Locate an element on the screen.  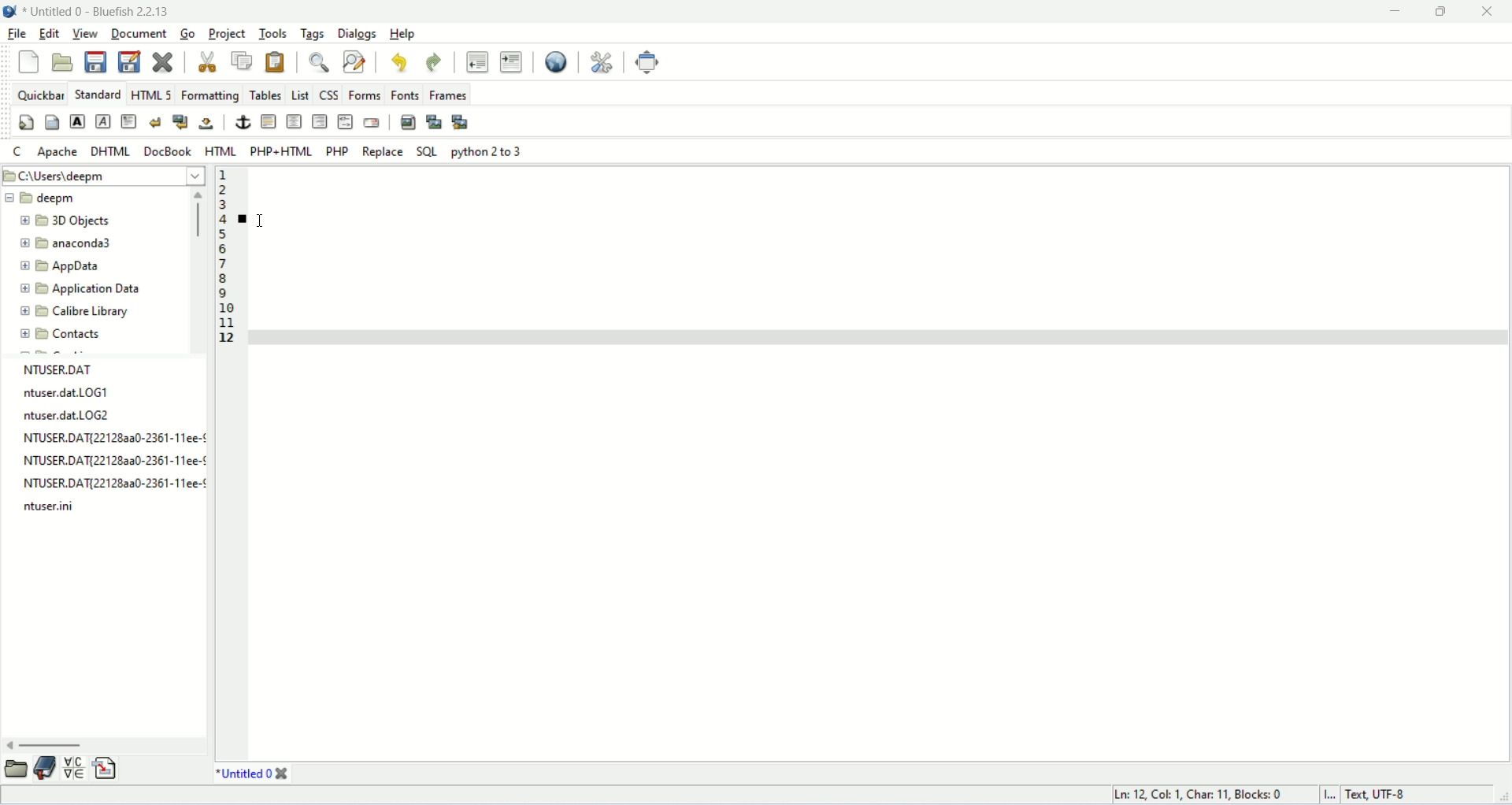
STANDARD is located at coordinates (98, 93).